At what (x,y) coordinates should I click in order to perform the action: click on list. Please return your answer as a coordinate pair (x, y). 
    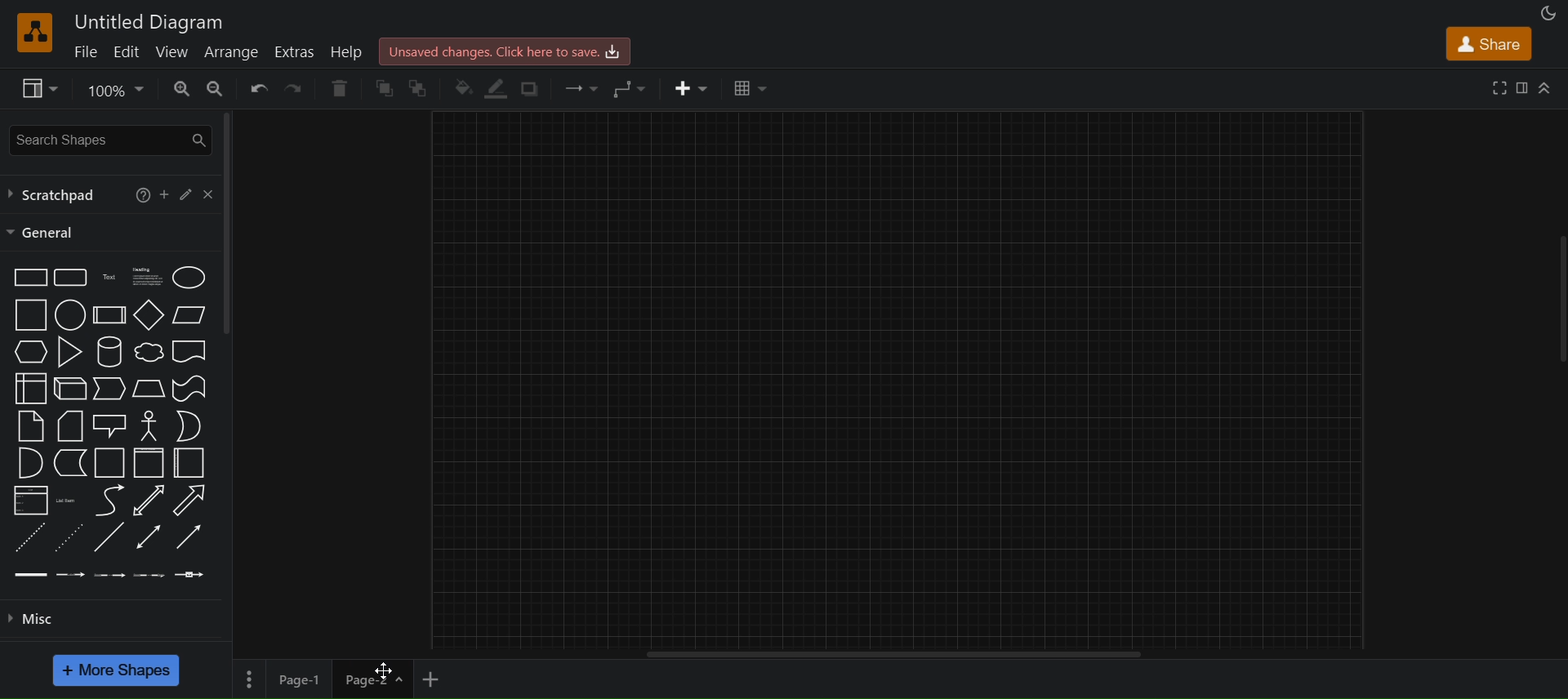
    Looking at the image, I should click on (29, 499).